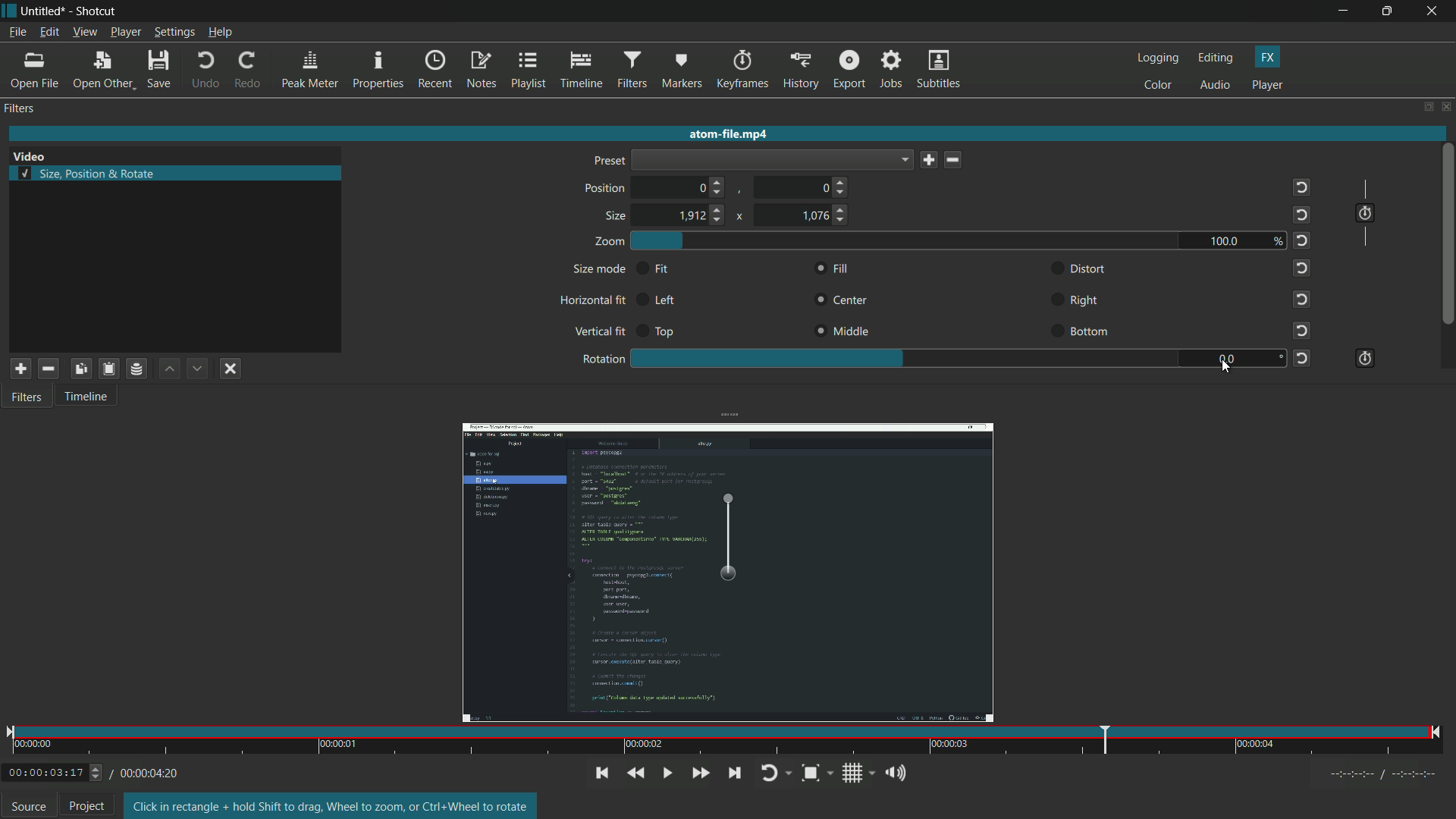 This screenshot has width=1456, height=819. What do you see at coordinates (579, 71) in the screenshot?
I see `timeline` at bounding box center [579, 71].